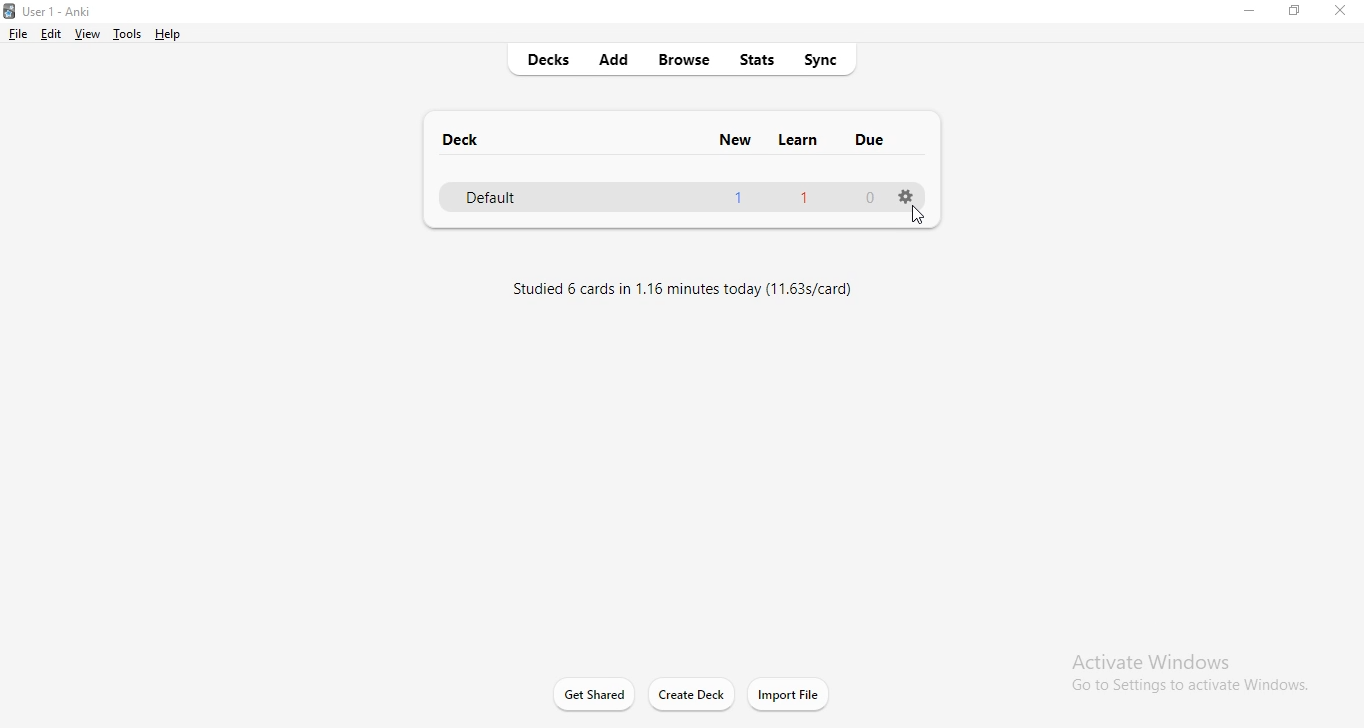 This screenshot has width=1364, height=728. What do you see at coordinates (757, 59) in the screenshot?
I see `stats` at bounding box center [757, 59].